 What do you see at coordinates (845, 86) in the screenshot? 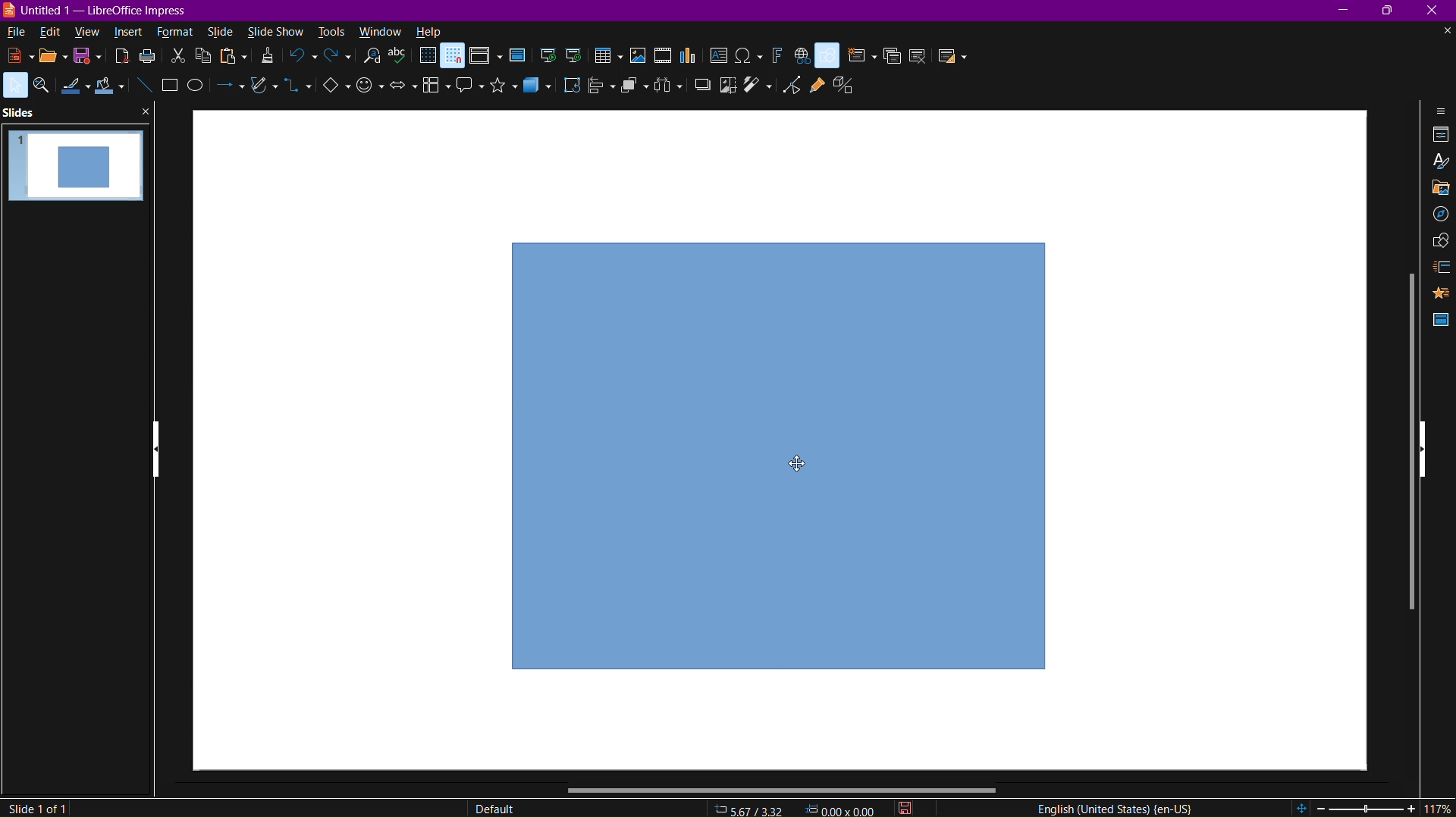
I see `Toggle Extrusion` at bounding box center [845, 86].